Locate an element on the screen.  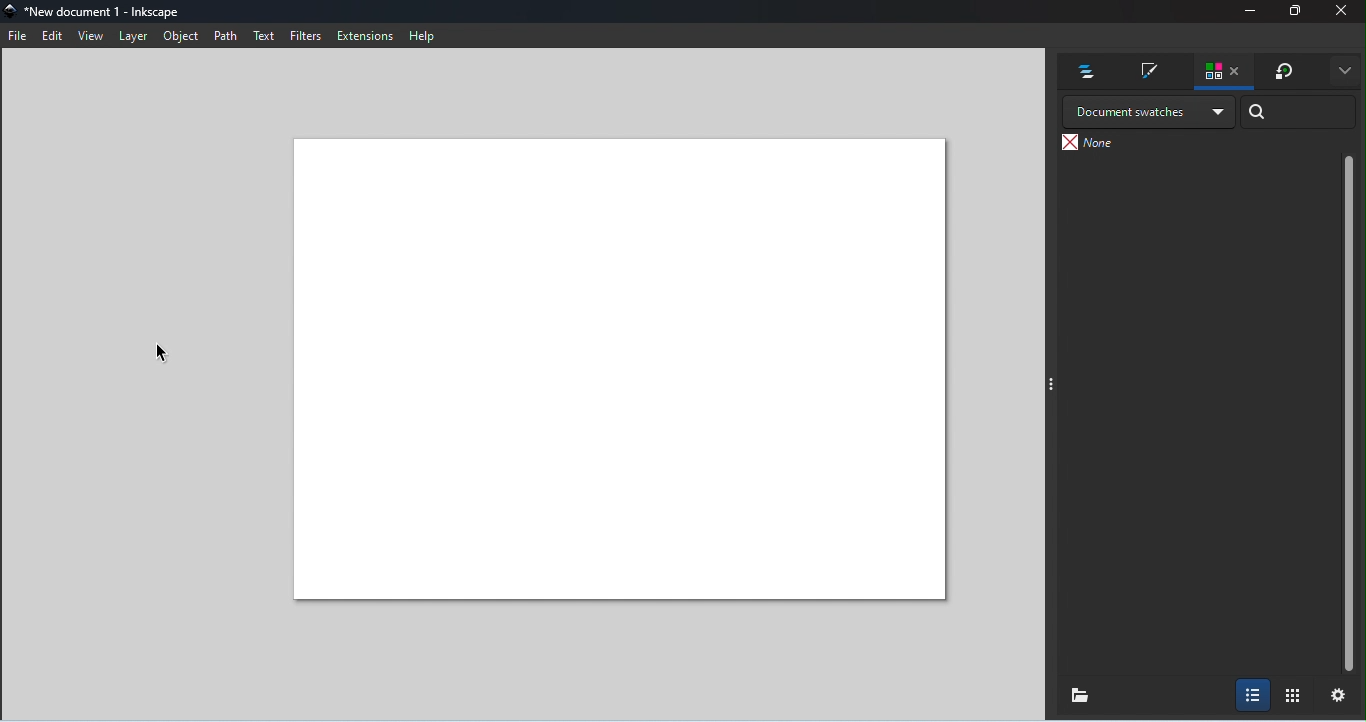
Object is located at coordinates (184, 37).